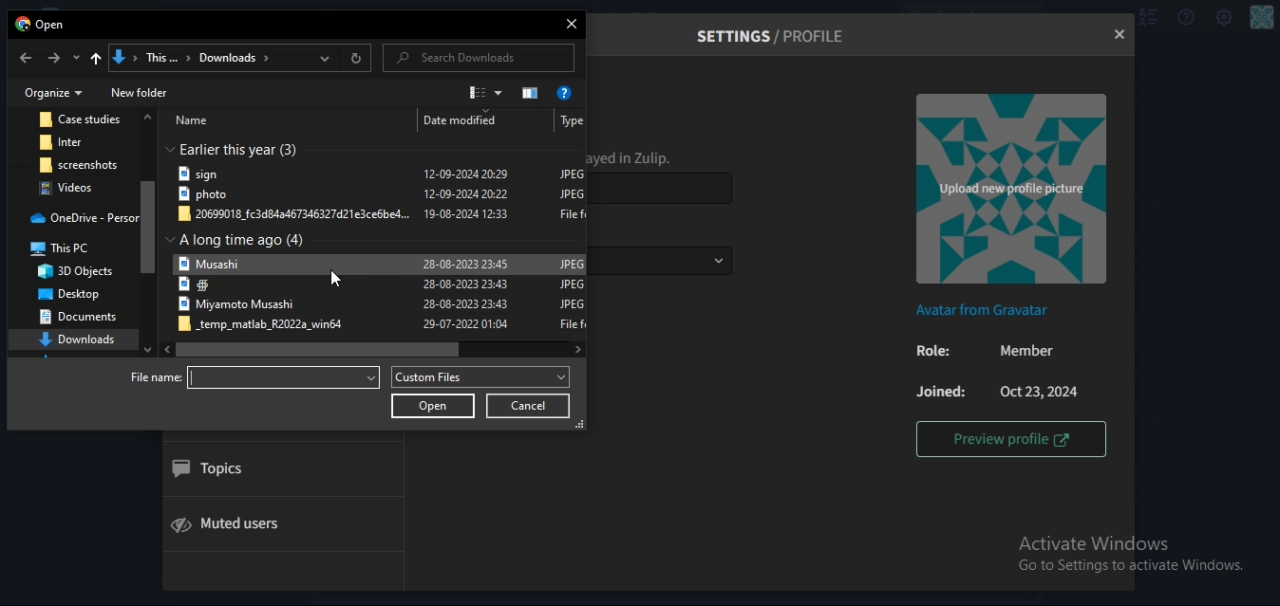  Describe the element at coordinates (74, 188) in the screenshot. I see `file` at that location.